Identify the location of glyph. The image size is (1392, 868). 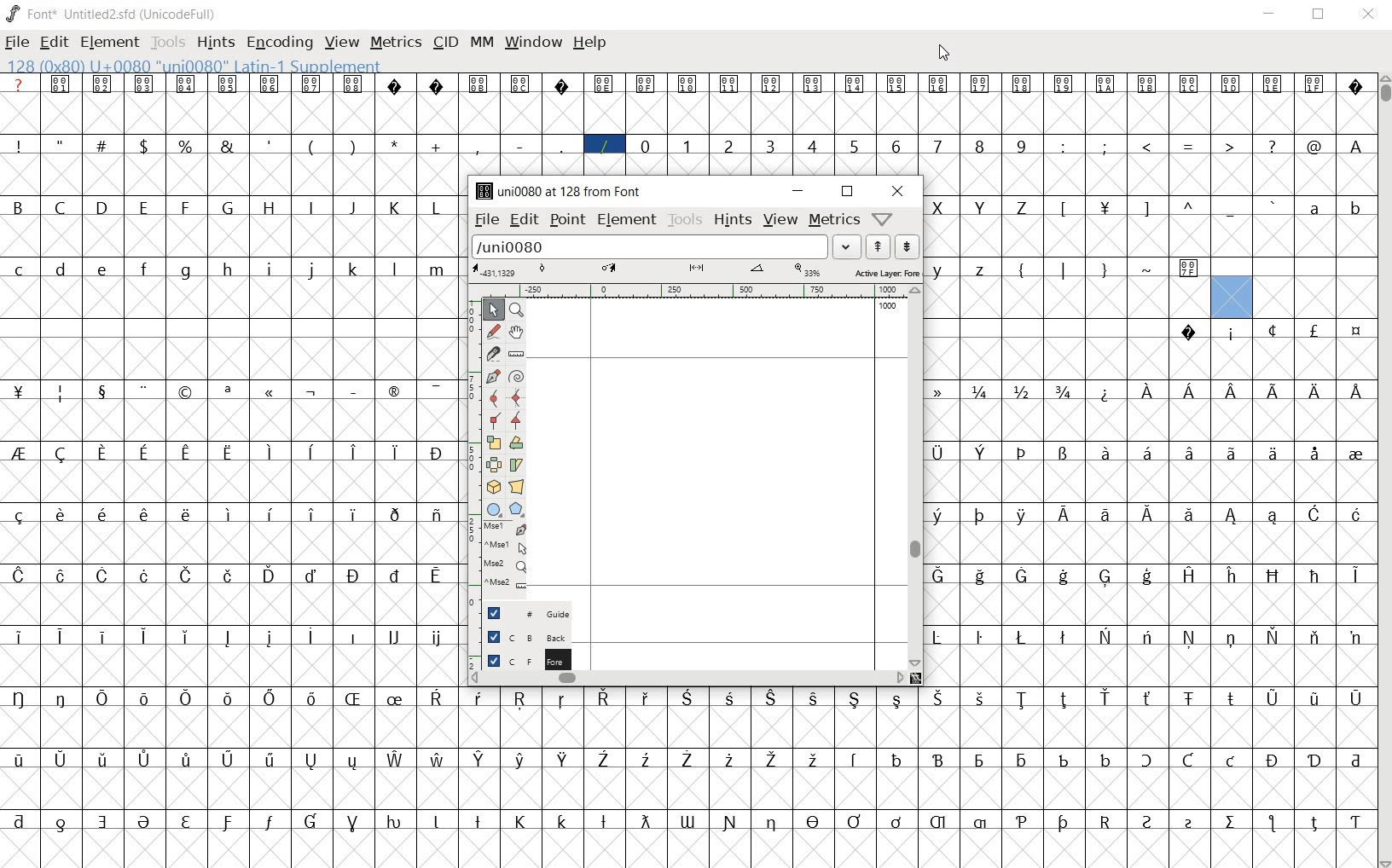
(896, 822).